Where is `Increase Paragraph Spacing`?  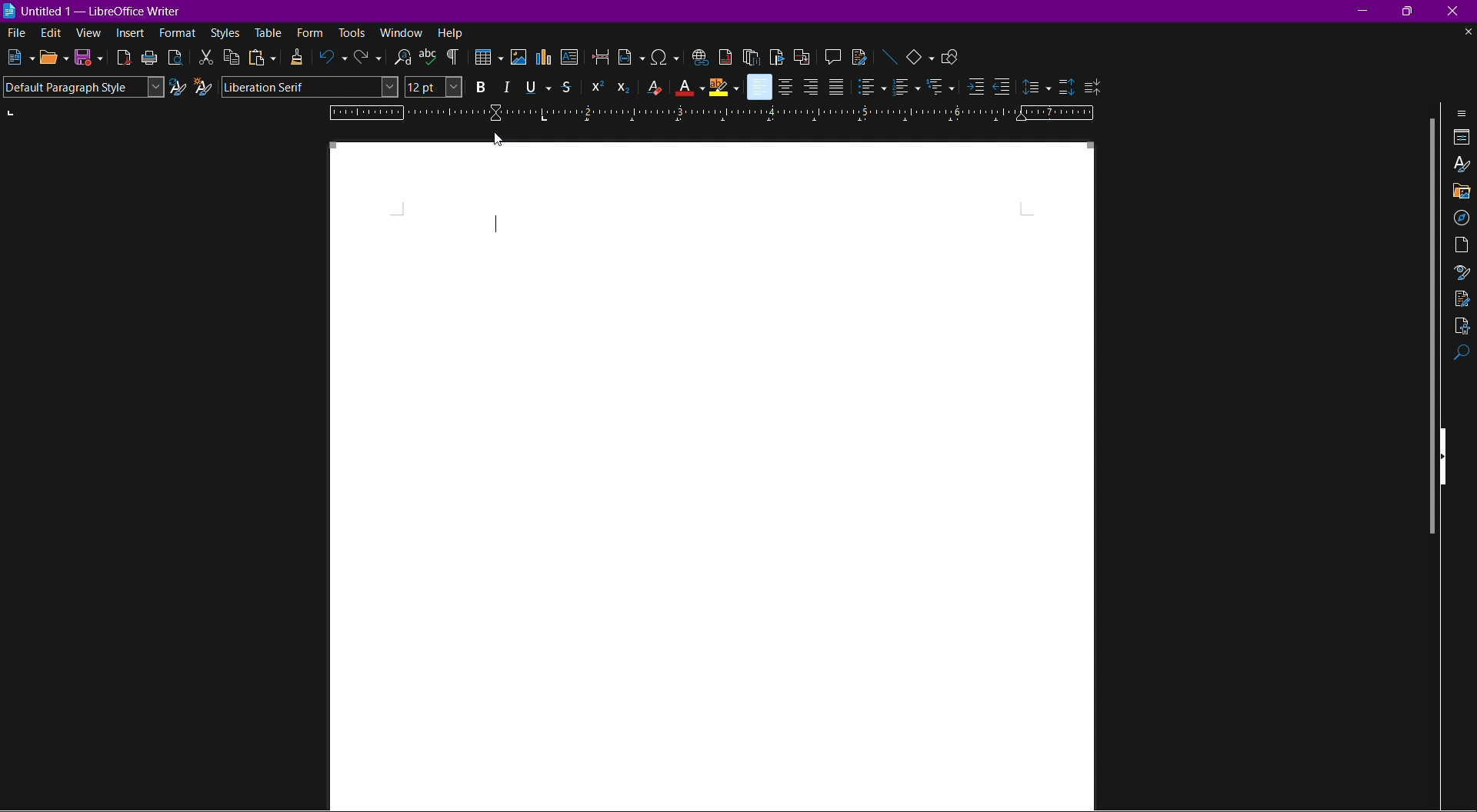 Increase Paragraph Spacing is located at coordinates (1065, 84).